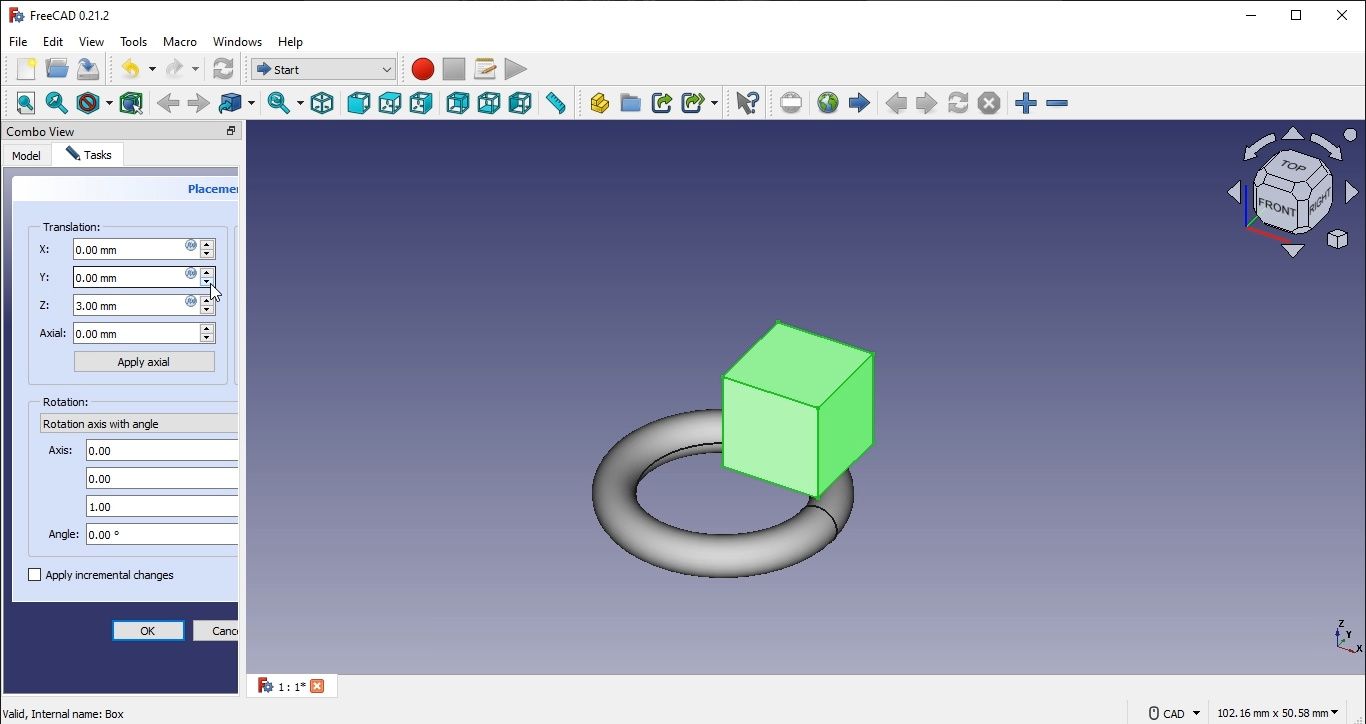 This screenshot has height=724, width=1366. What do you see at coordinates (21, 41) in the screenshot?
I see `file` at bounding box center [21, 41].